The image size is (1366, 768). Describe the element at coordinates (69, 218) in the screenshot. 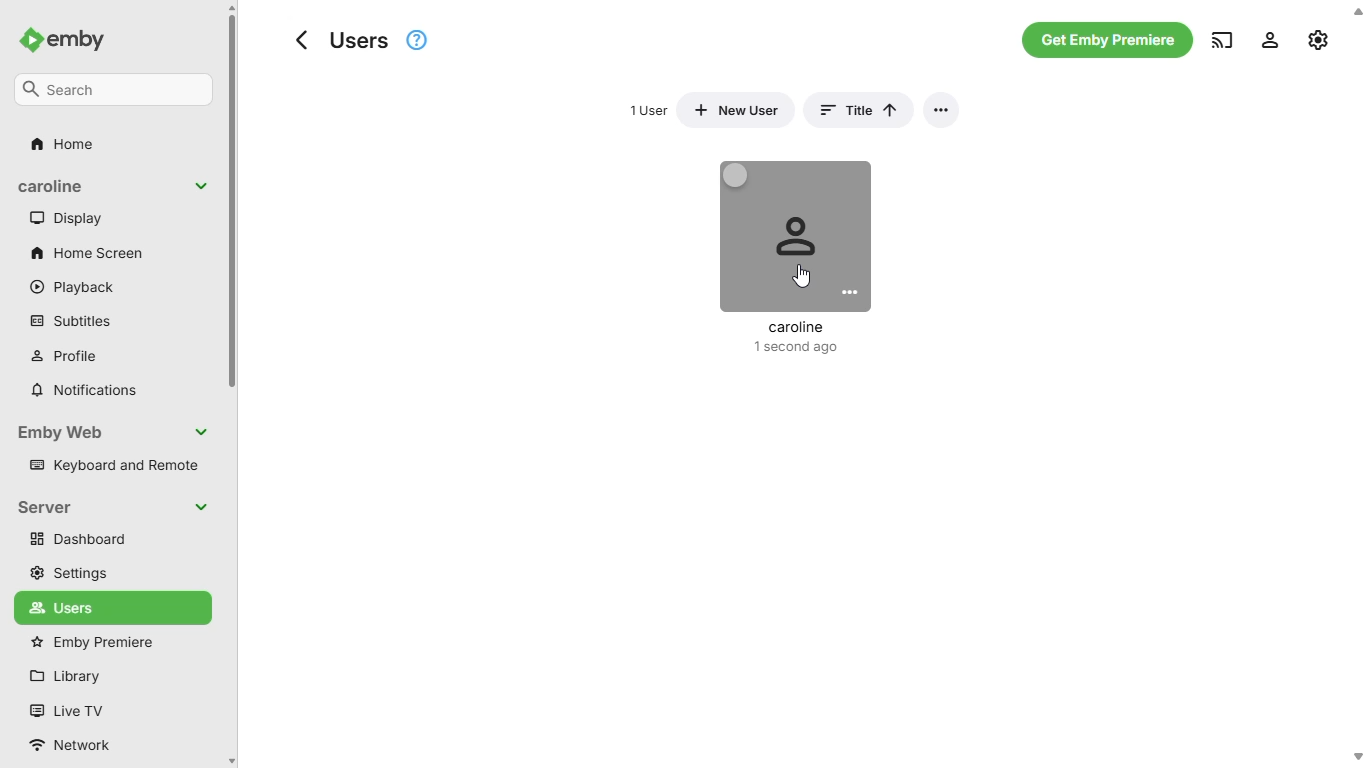

I see `display` at that location.